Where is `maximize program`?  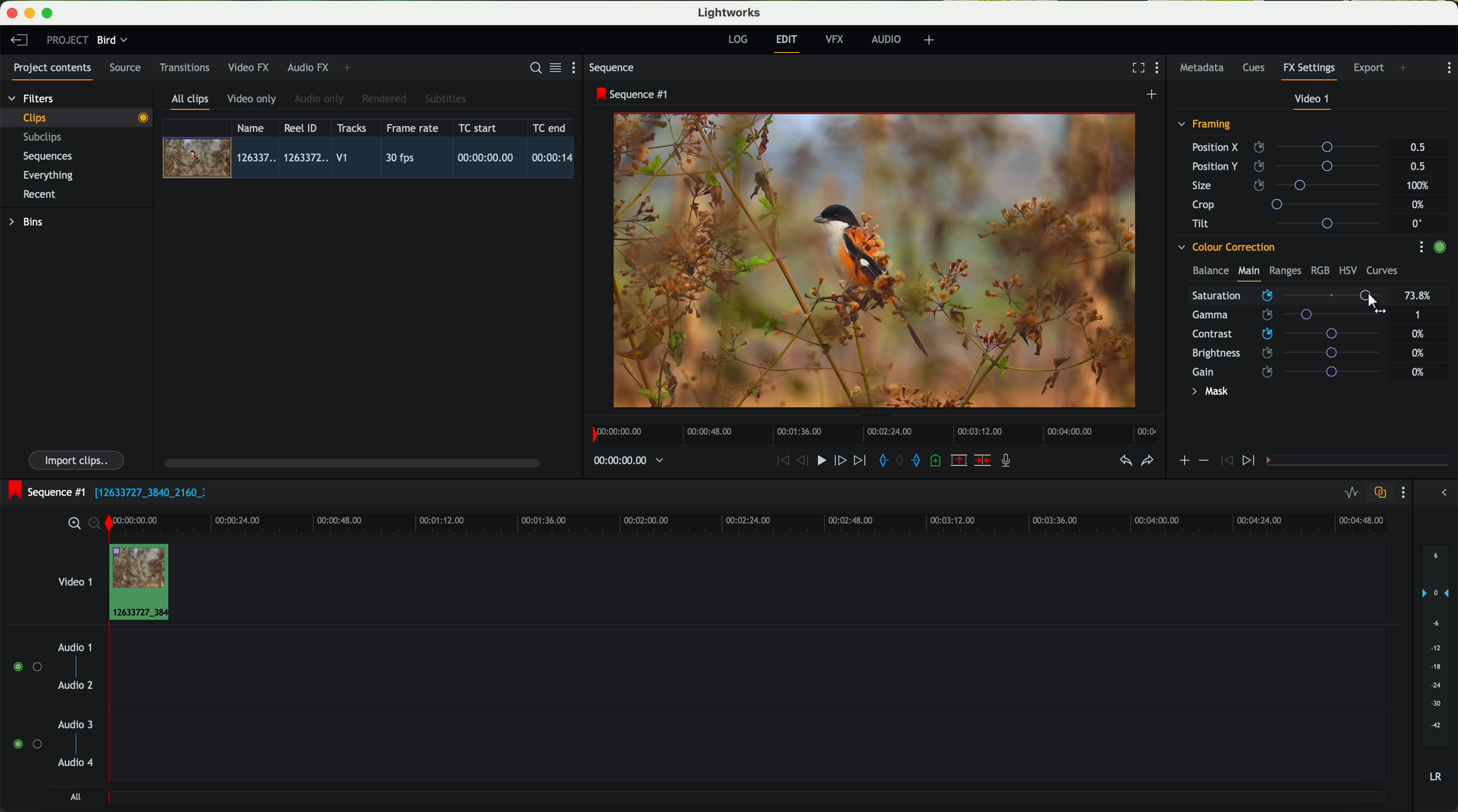 maximize program is located at coordinates (49, 14).